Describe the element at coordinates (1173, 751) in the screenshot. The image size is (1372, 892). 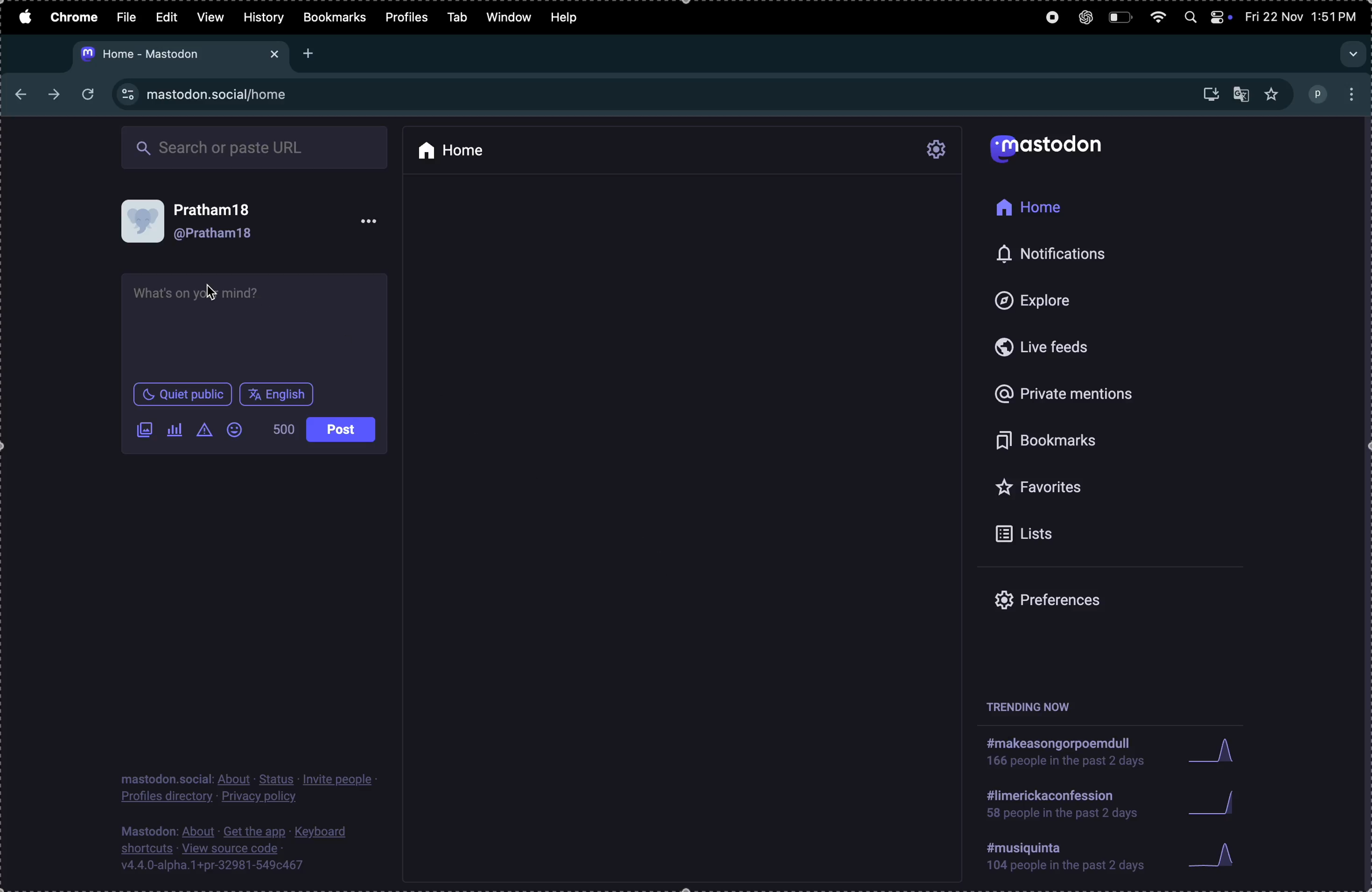
I see `graphs` at that location.